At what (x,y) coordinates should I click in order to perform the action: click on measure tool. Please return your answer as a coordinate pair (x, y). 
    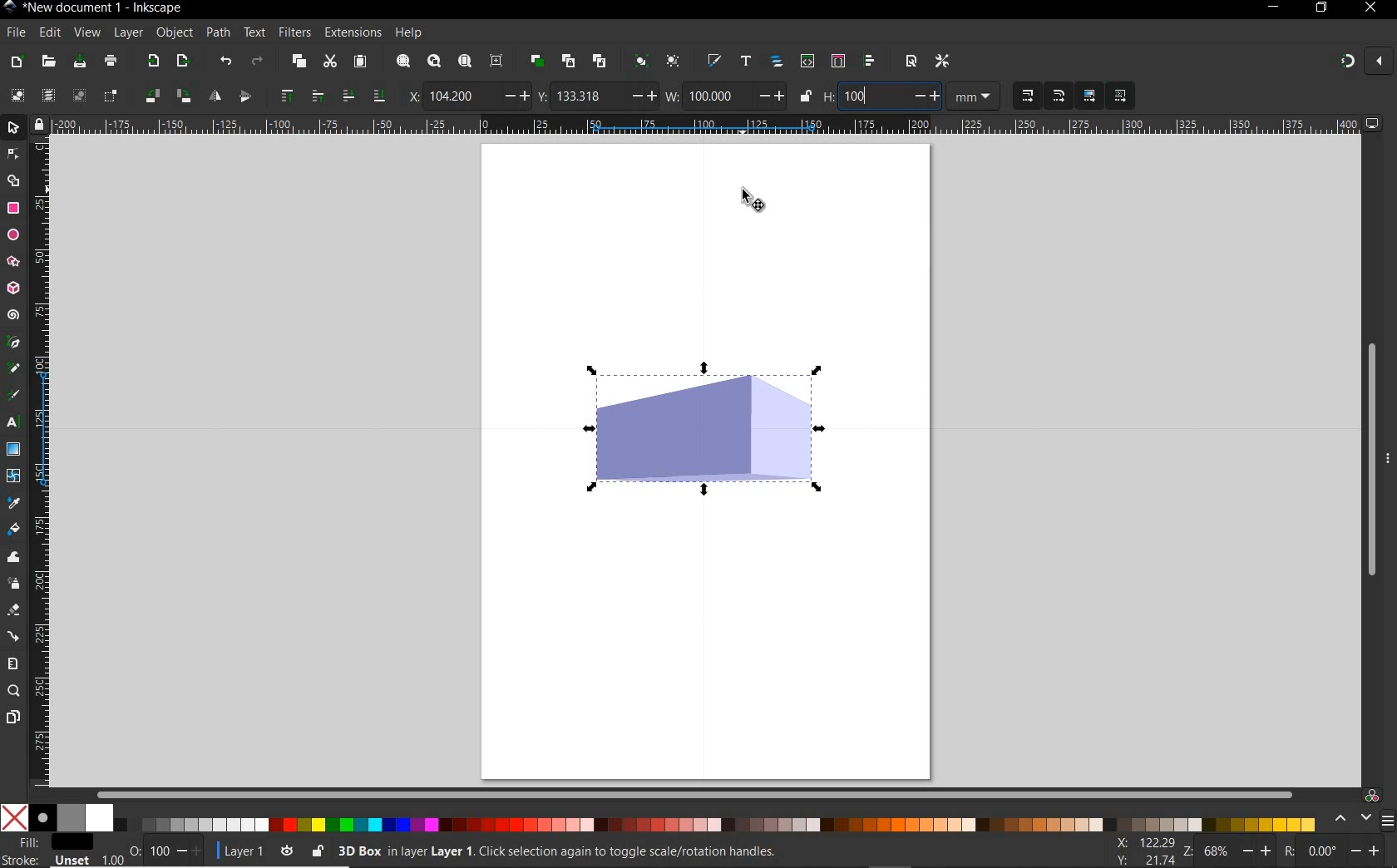
    Looking at the image, I should click on (12, 664).